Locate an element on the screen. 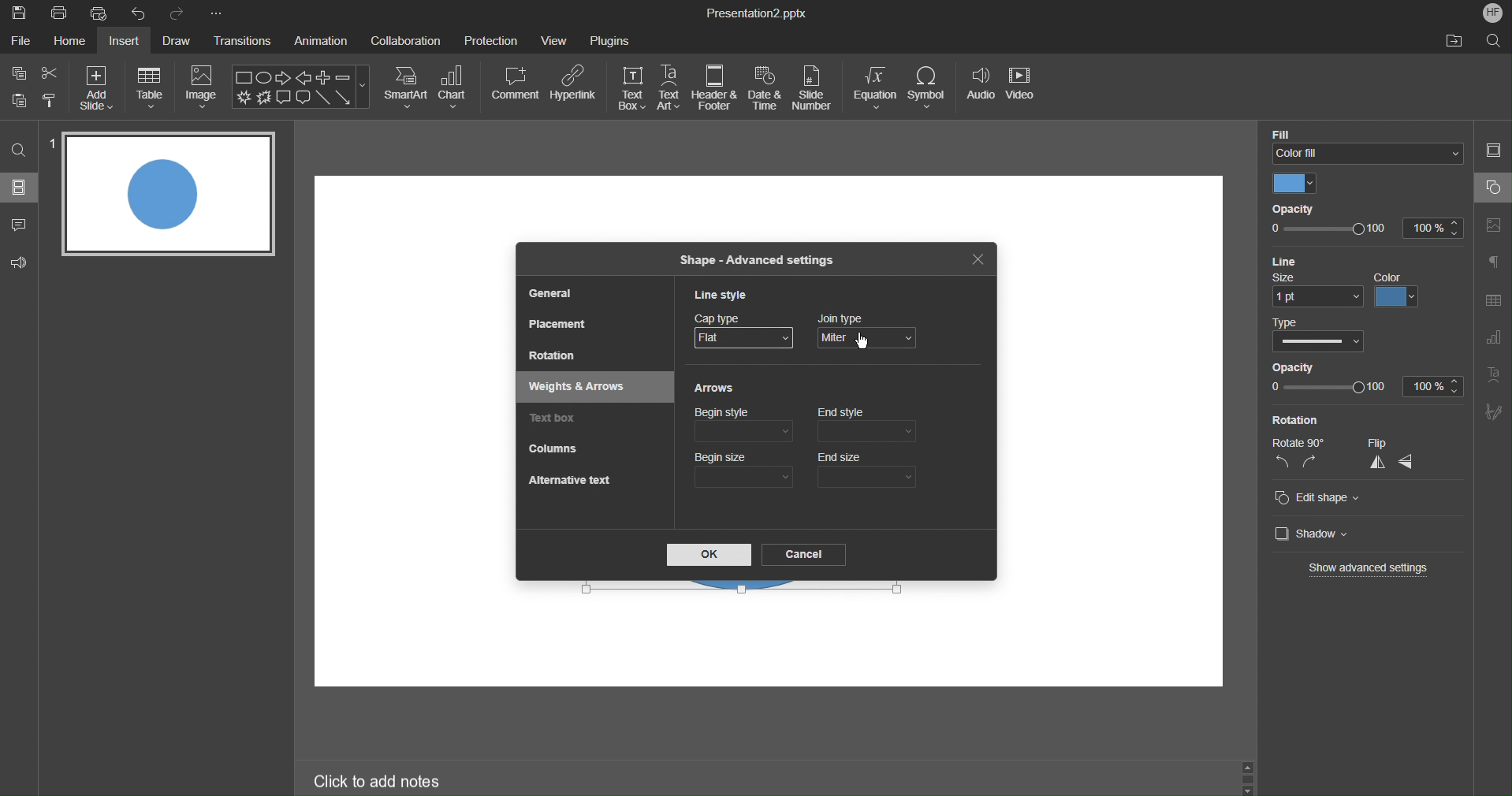 Image resolution: width=1512 pixels, height=796 pixels. Copy Style is located at coordinates (50, 99).